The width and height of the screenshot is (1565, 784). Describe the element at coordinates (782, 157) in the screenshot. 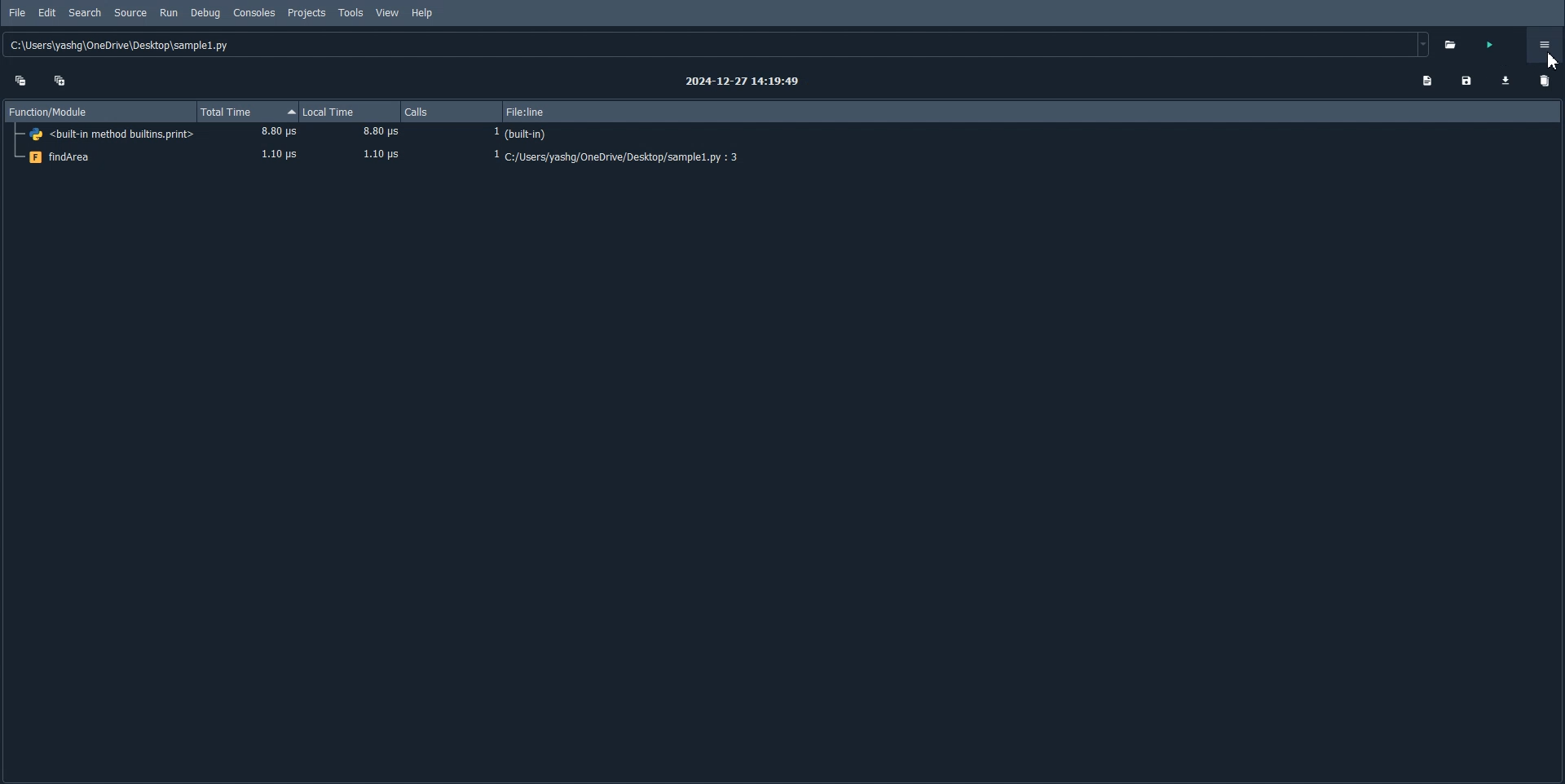

I see `findArea file` at that location.